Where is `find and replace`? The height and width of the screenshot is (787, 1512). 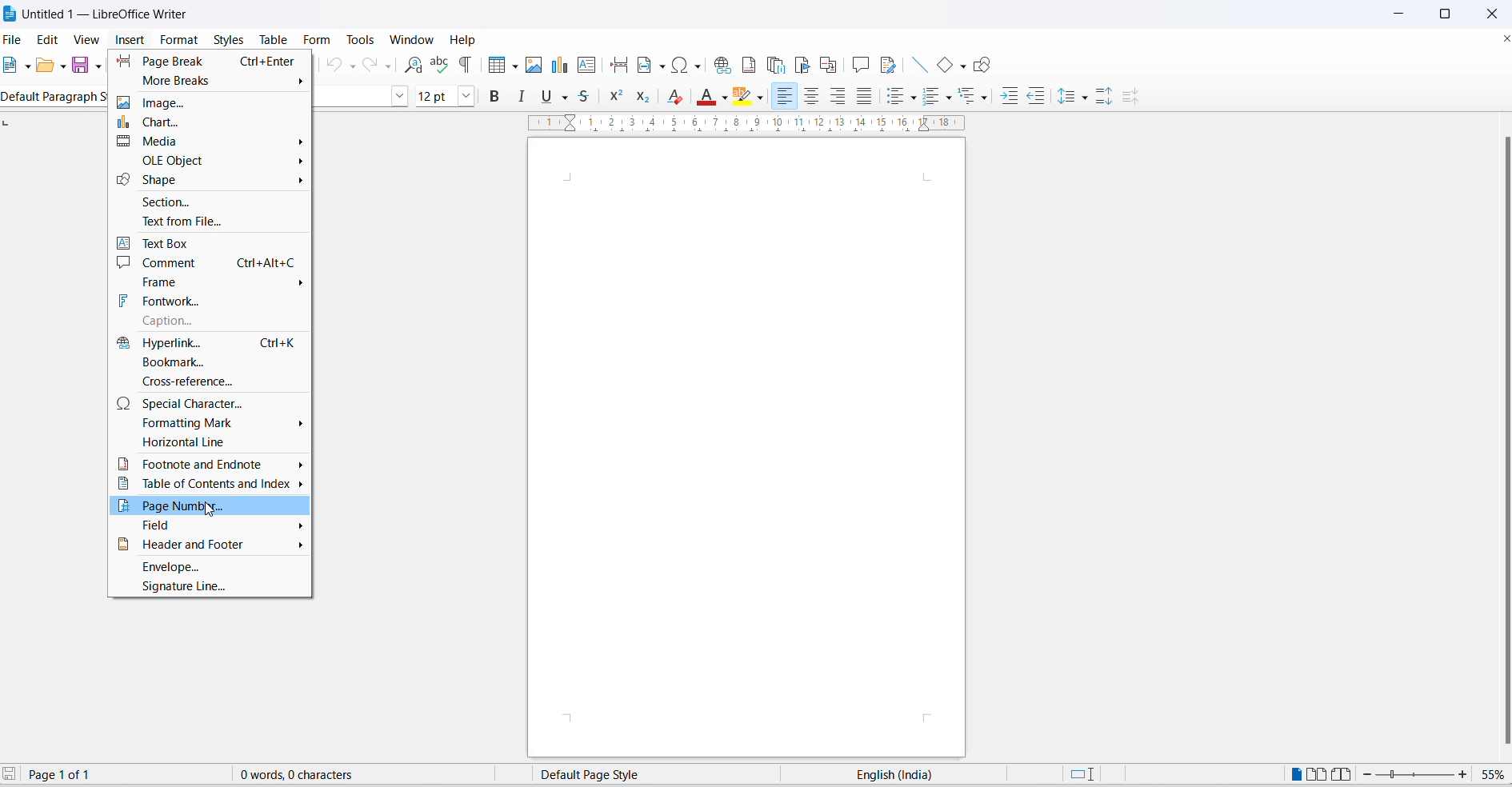 find and replace is located at coordinates (414, 66).